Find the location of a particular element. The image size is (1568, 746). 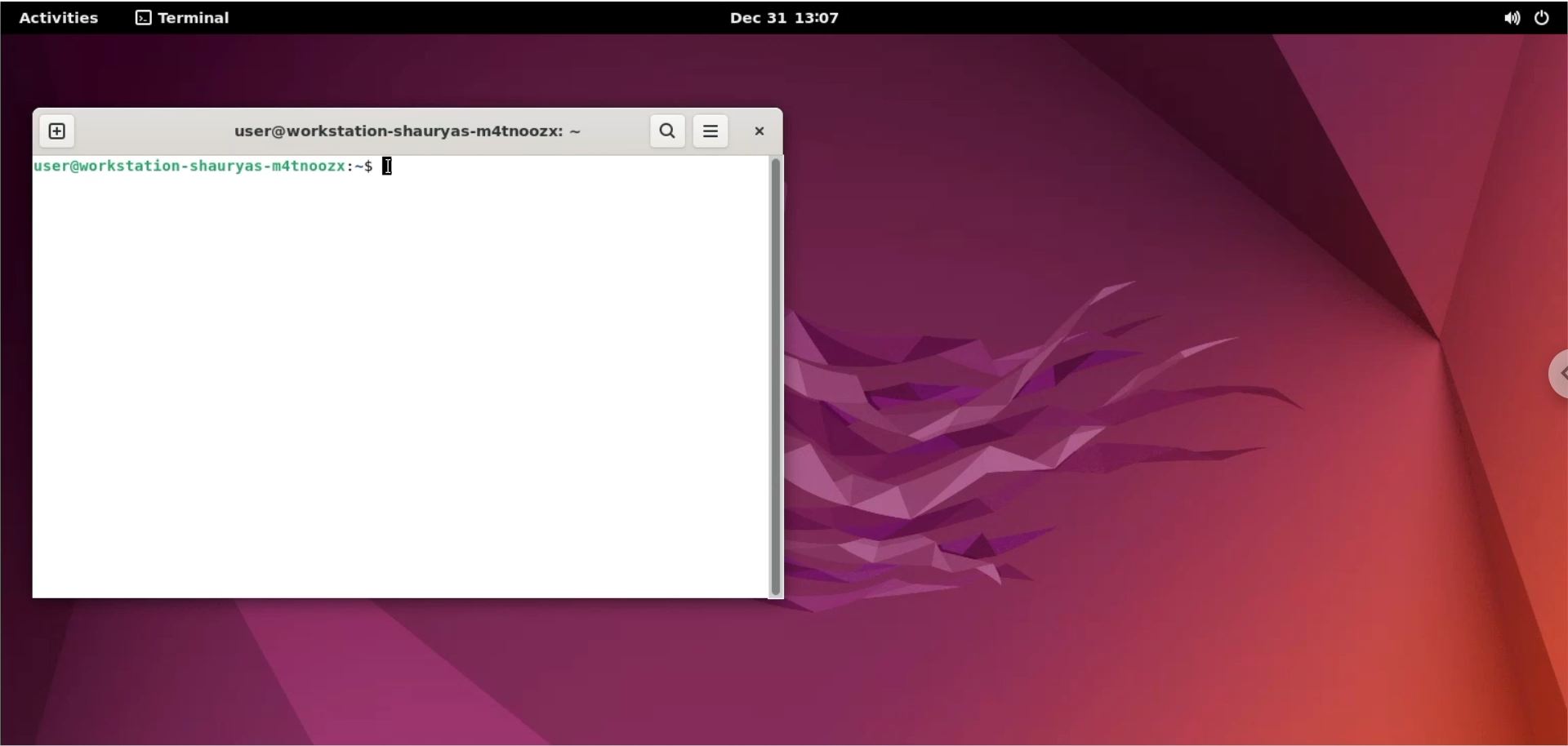

Juser@workstation -shauryas-mdtnoozx:~$ [1] is located at coordinates (203, 167).